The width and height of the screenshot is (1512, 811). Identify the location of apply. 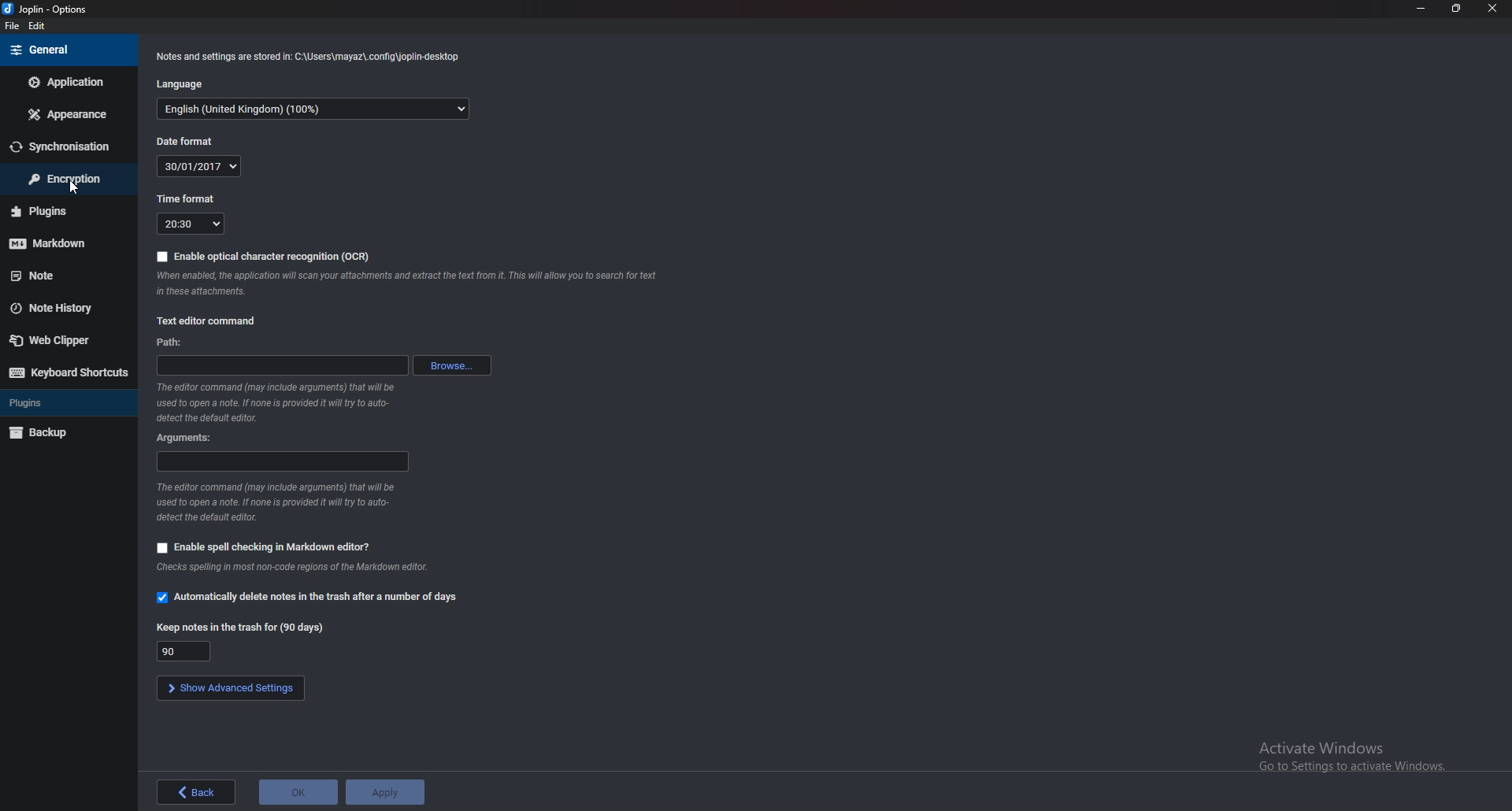
(385, 792).